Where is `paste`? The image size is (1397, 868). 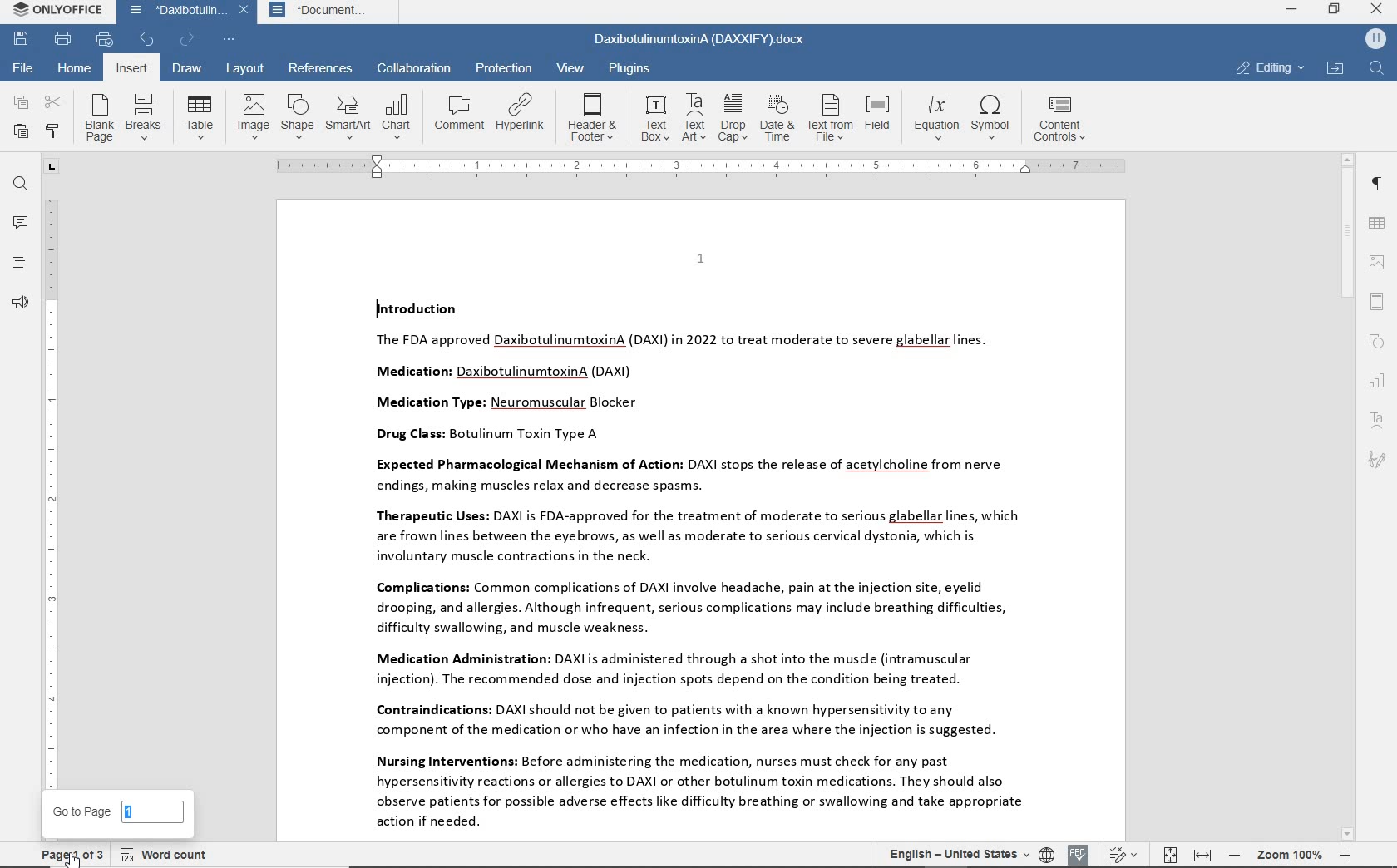
paste is located at coordinates (21, 131).